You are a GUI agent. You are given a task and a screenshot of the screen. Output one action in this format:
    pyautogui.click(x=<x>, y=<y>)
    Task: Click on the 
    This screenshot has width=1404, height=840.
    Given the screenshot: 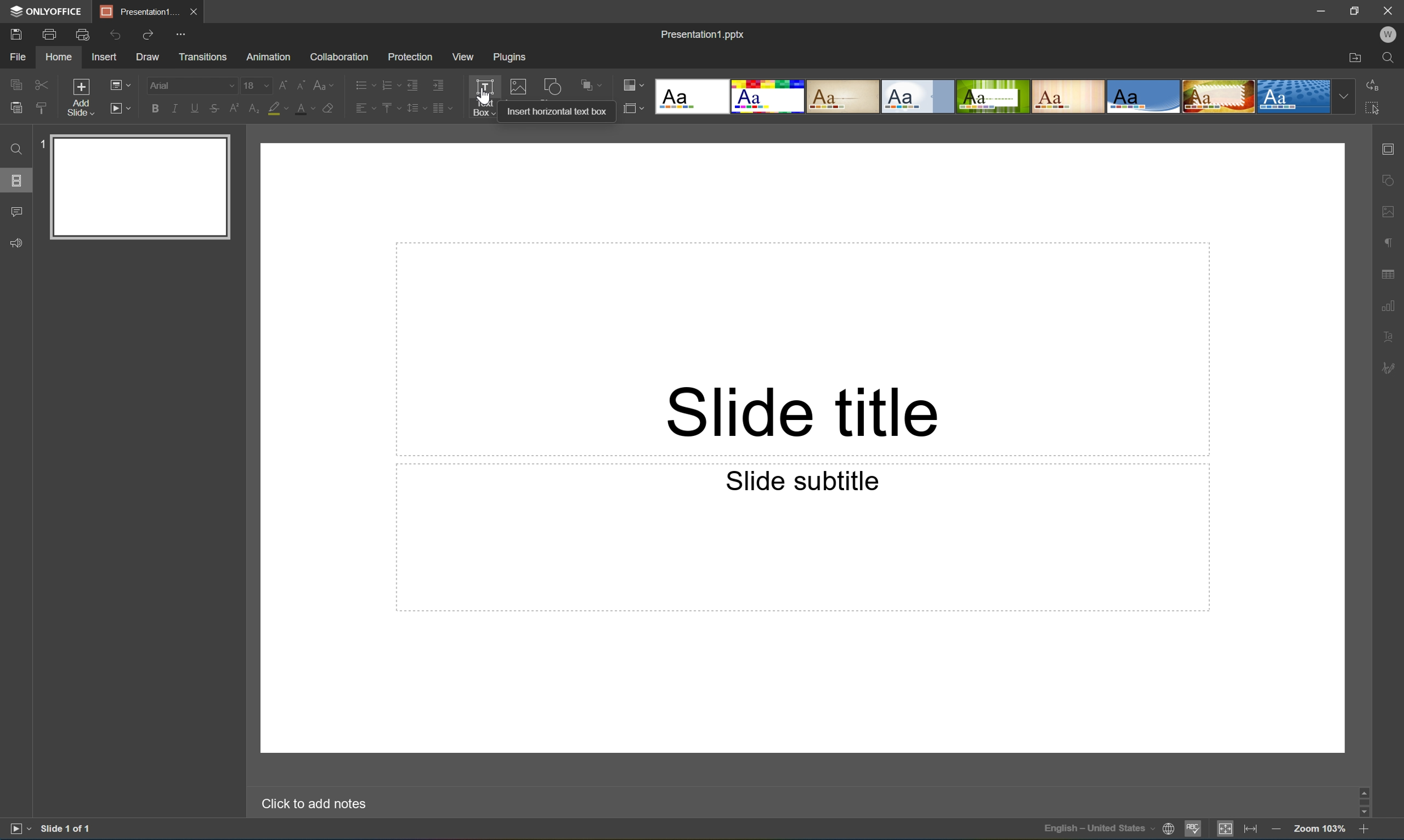 What is the action you would take?
    pyautogui.click(x=555, y=112)
    